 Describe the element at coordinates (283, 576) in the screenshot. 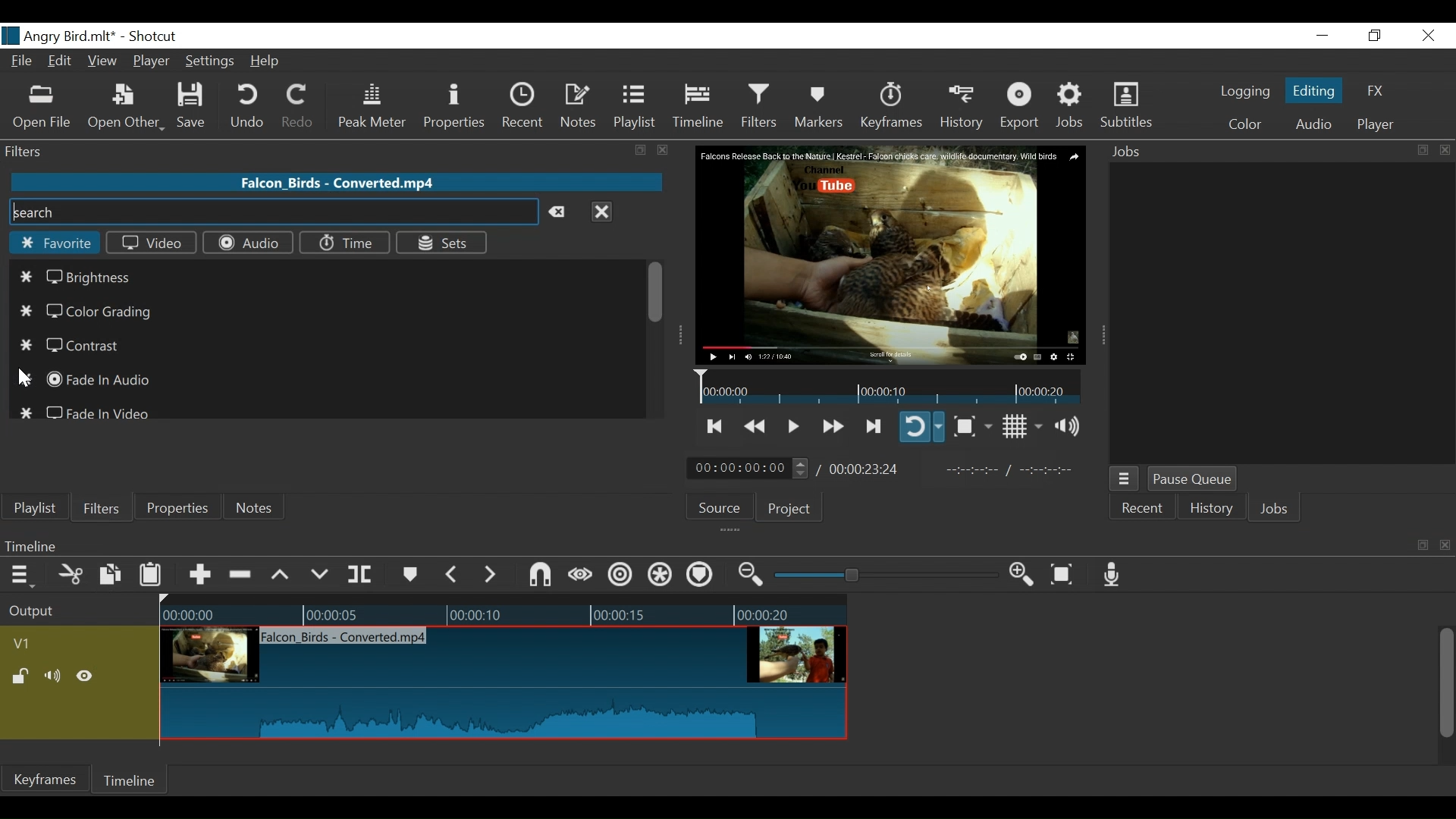

I see `Lift` at that location.